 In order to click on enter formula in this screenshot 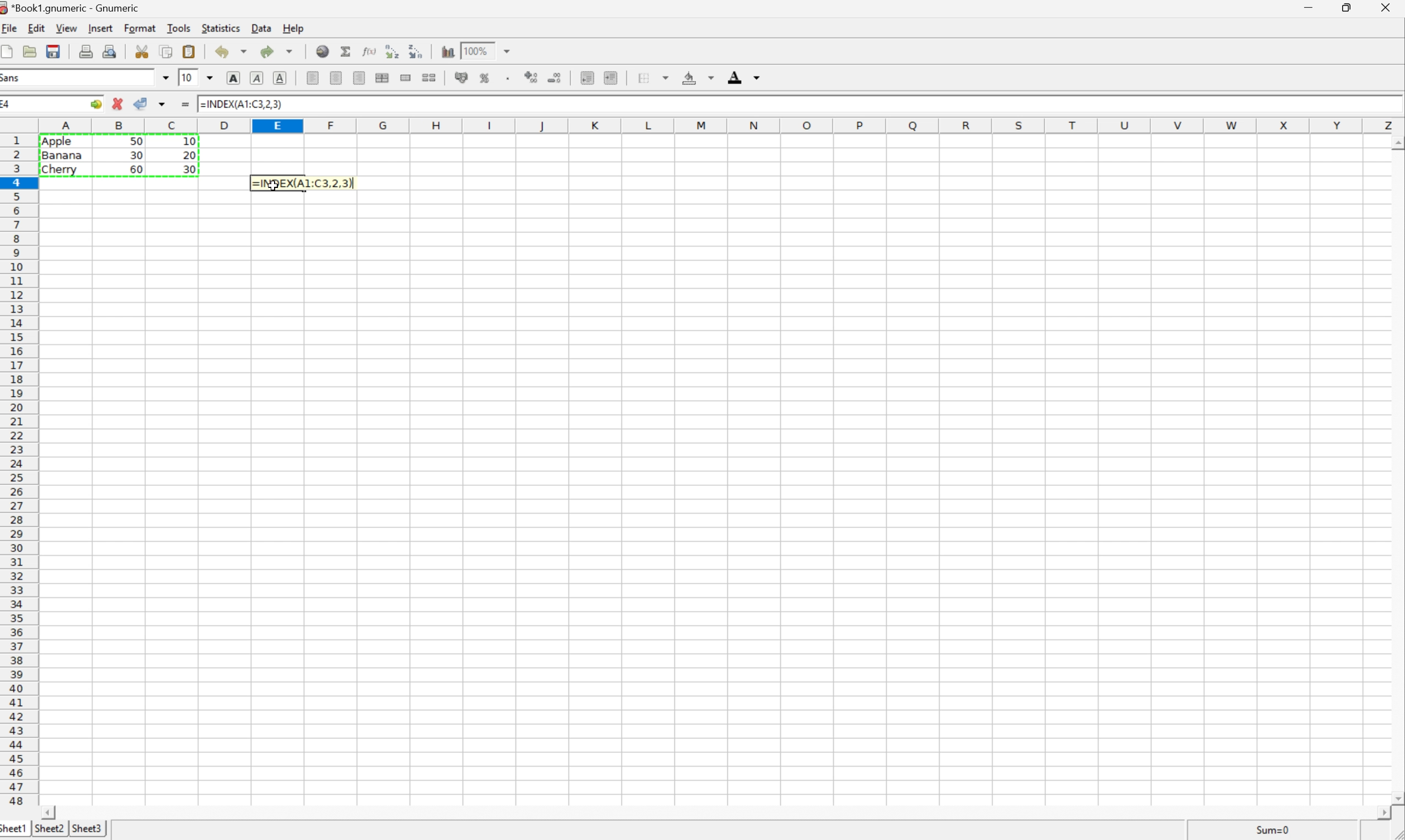, I will do `click(186, 104)`.